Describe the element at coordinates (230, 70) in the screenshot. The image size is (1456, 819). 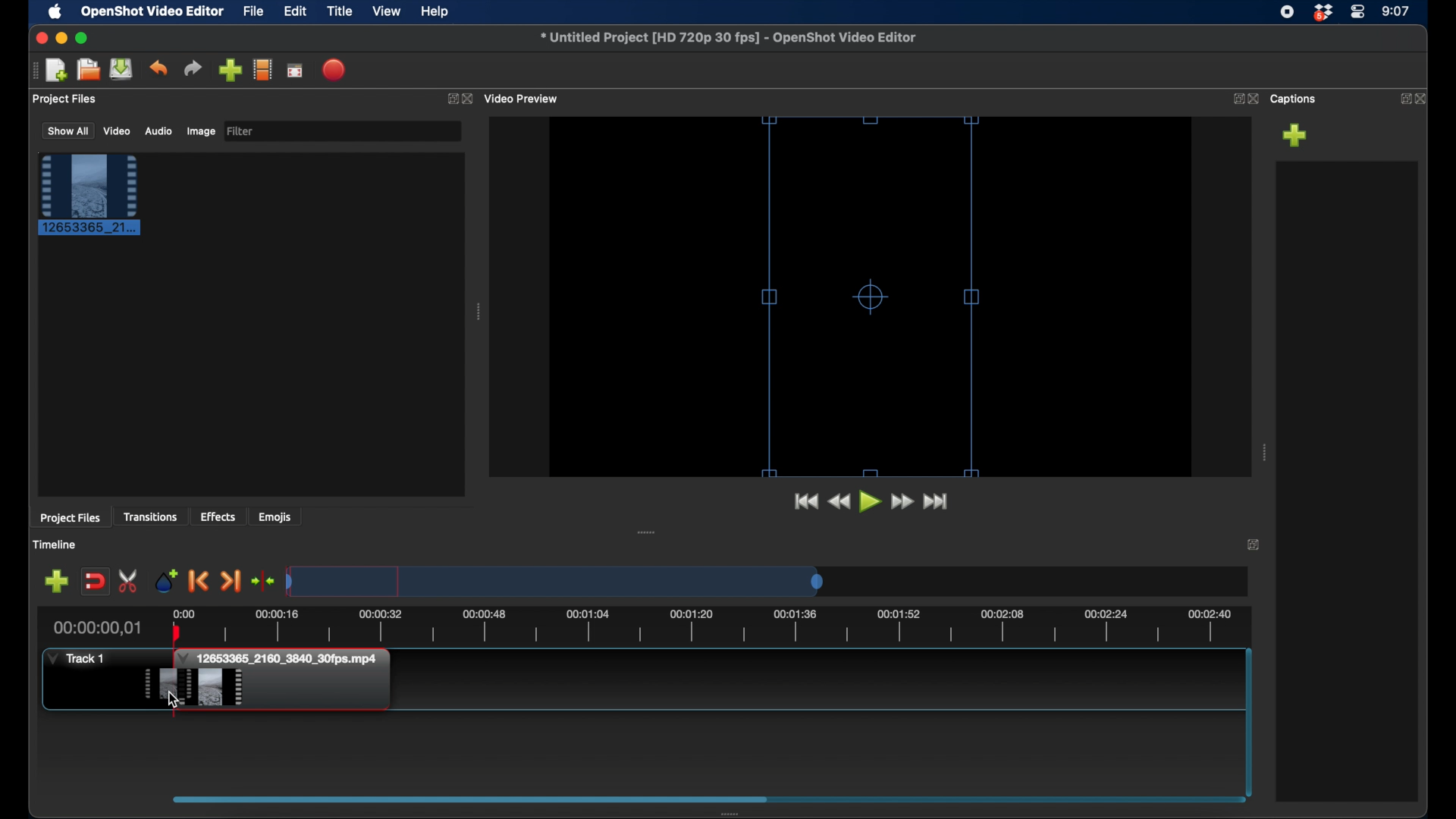
I see `import files` at that location.